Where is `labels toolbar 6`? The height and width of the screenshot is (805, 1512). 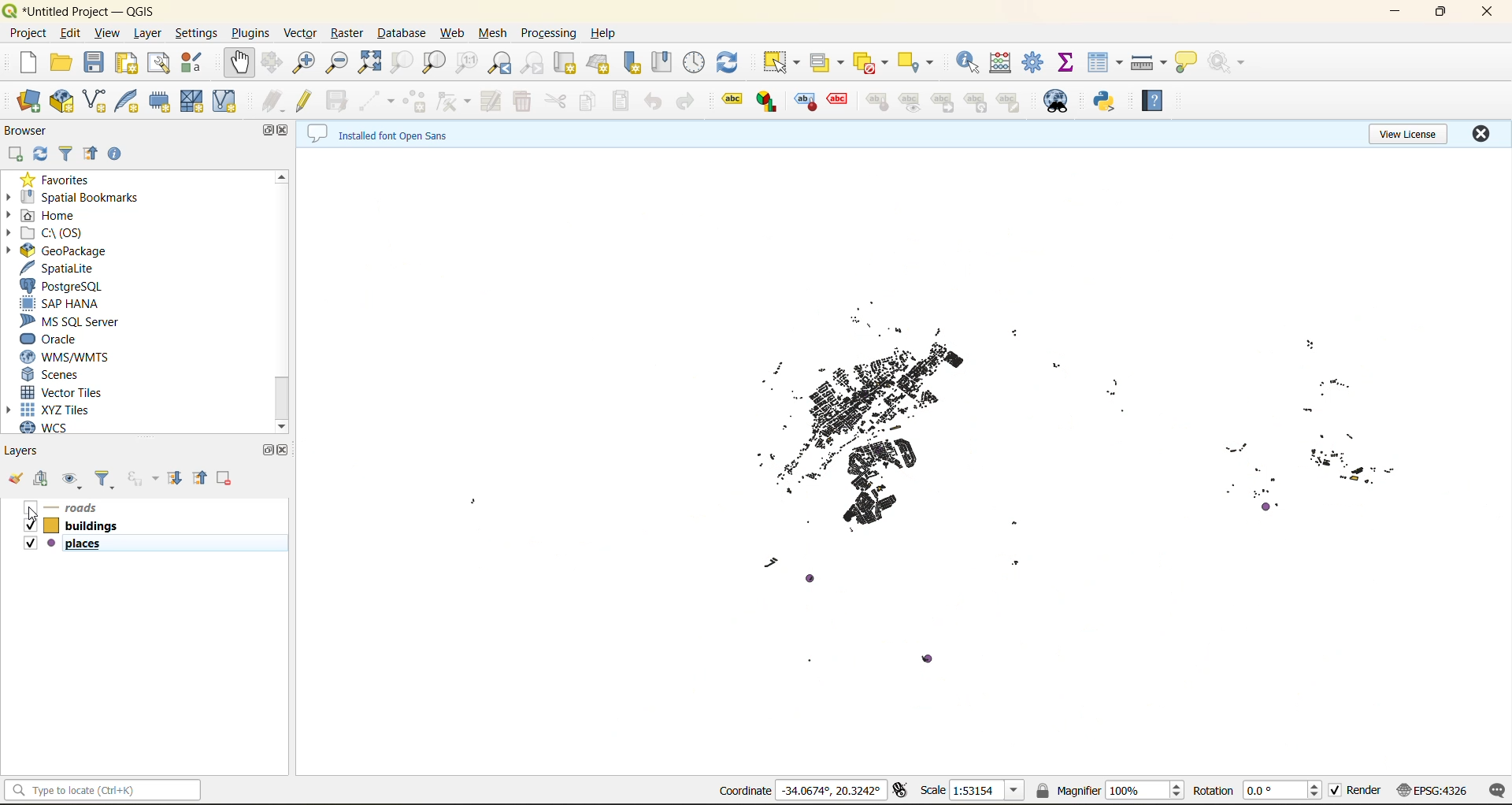
labels toolbar 6 is located at coordinates (910, 103).